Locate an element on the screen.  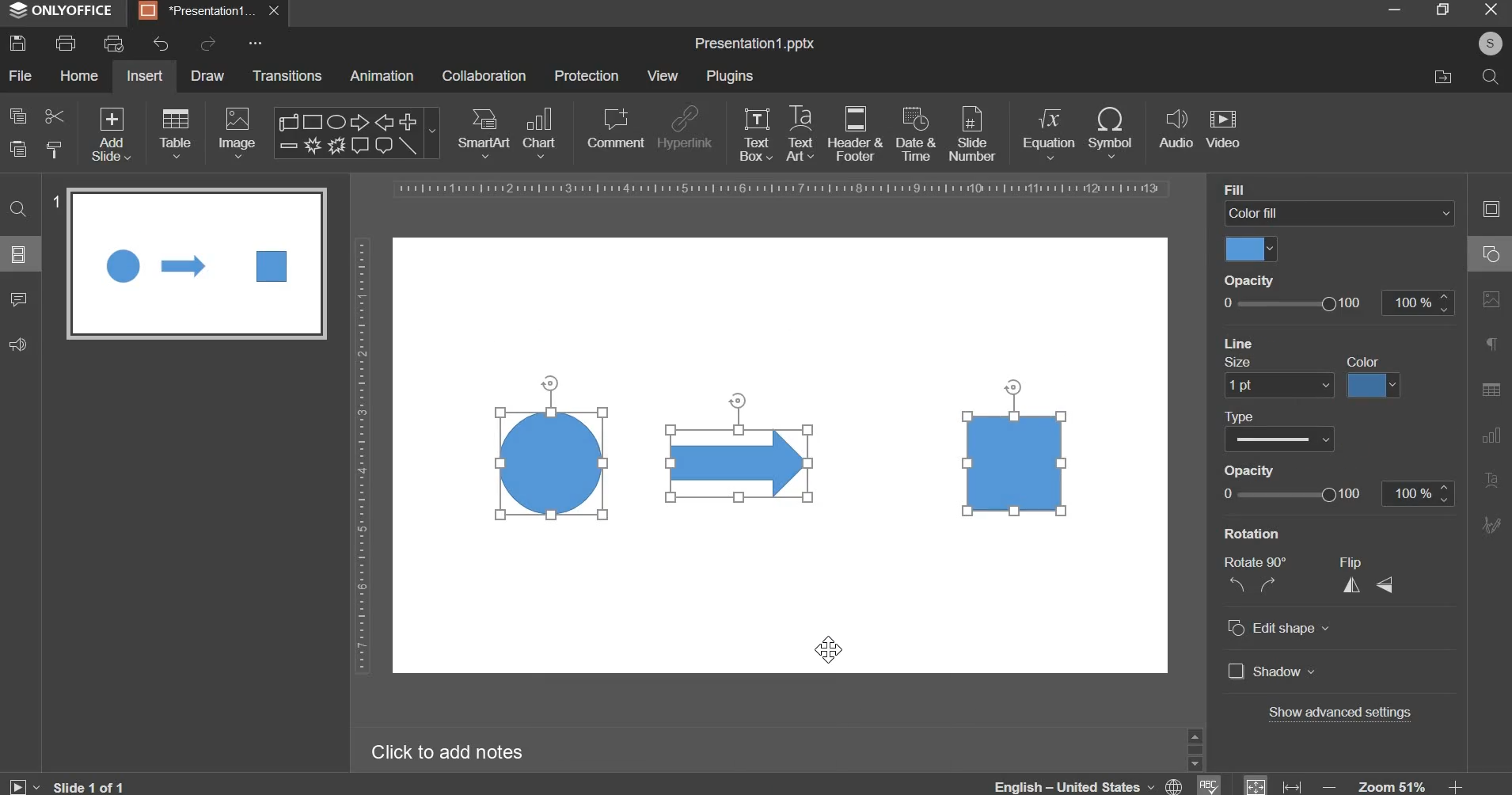
user profile is located at coordinates (1491, 42).